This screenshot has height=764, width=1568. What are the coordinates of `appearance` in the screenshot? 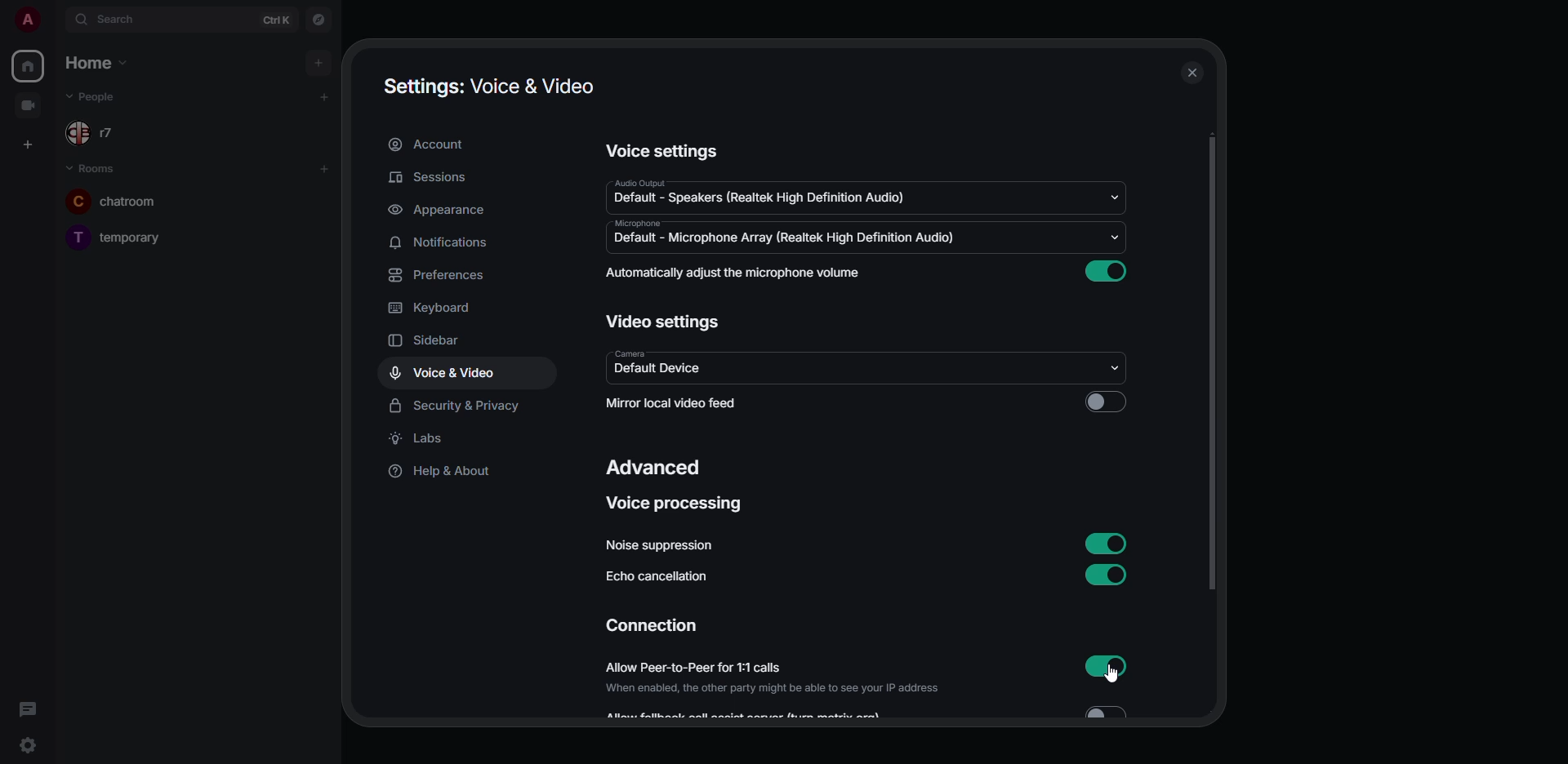 It's located at (439, 212).